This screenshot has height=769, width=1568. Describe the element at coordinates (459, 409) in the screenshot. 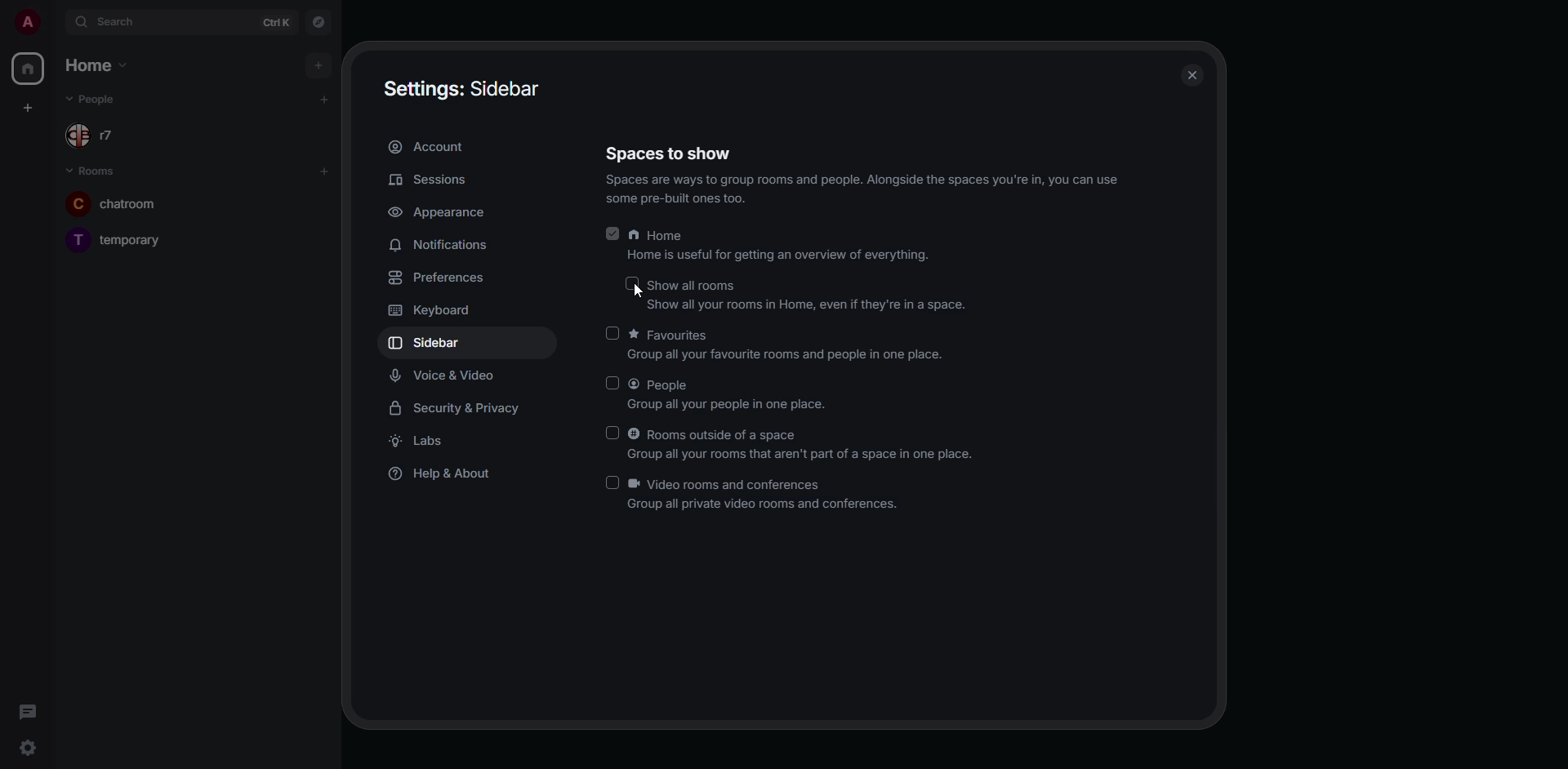

I see `security & privacy` at that location.